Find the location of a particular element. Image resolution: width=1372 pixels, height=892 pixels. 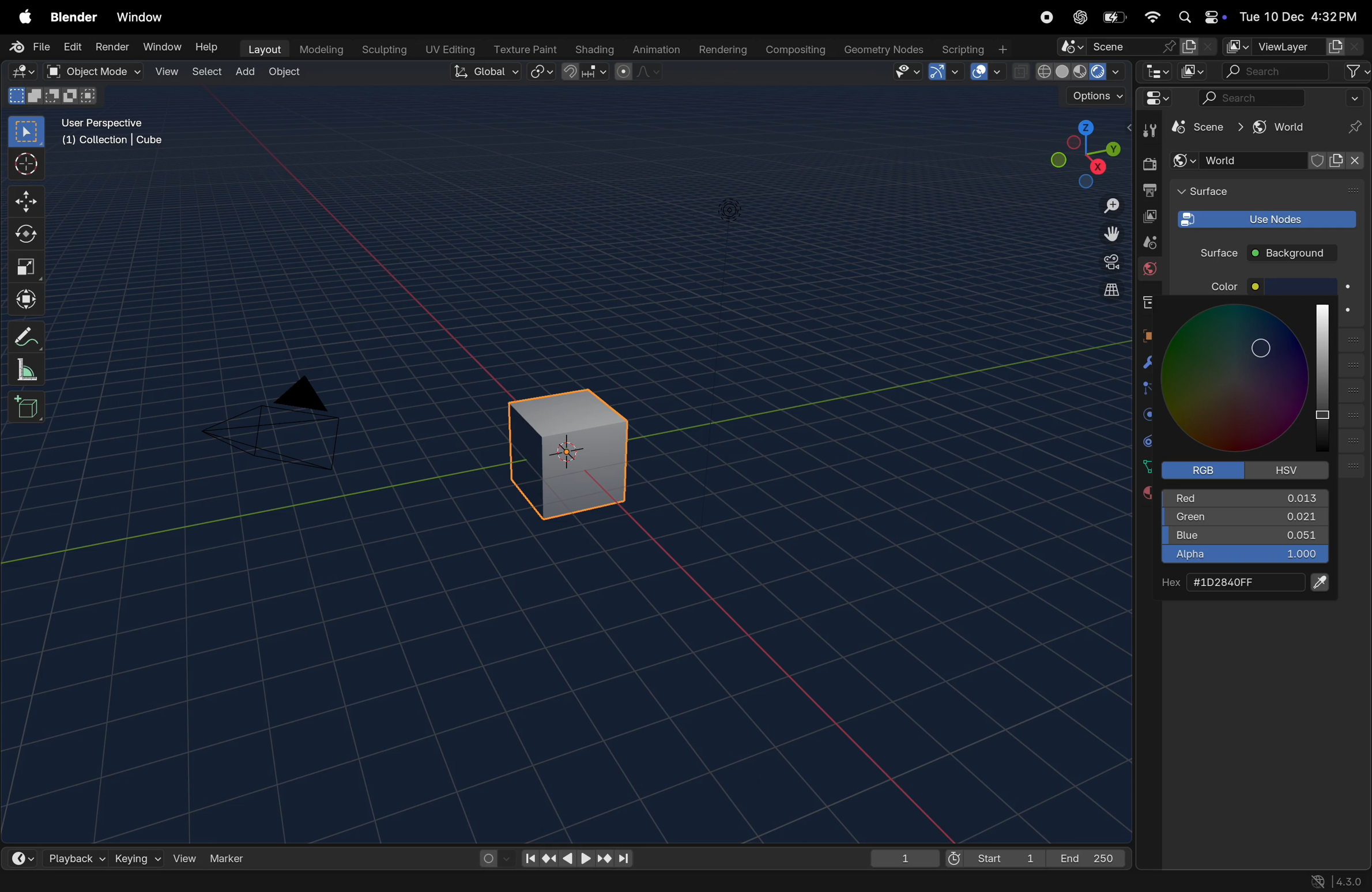

Composting is located at coordinates (793, 51).